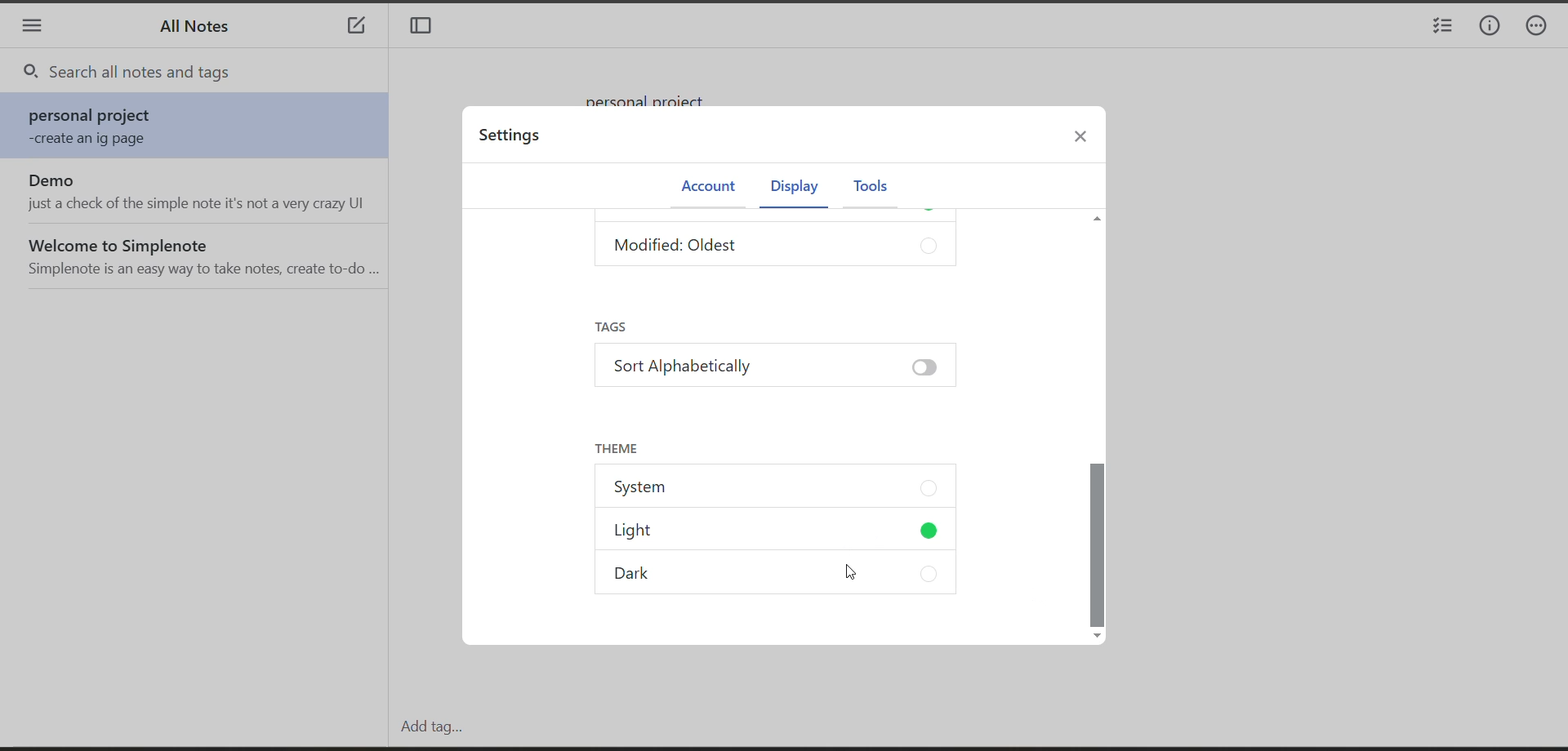 This screenshot has width=1568, height=751. What do you see at coordinates (427, 727) in the screenshot?
I see `add tag` at bounding box center [427, 727].